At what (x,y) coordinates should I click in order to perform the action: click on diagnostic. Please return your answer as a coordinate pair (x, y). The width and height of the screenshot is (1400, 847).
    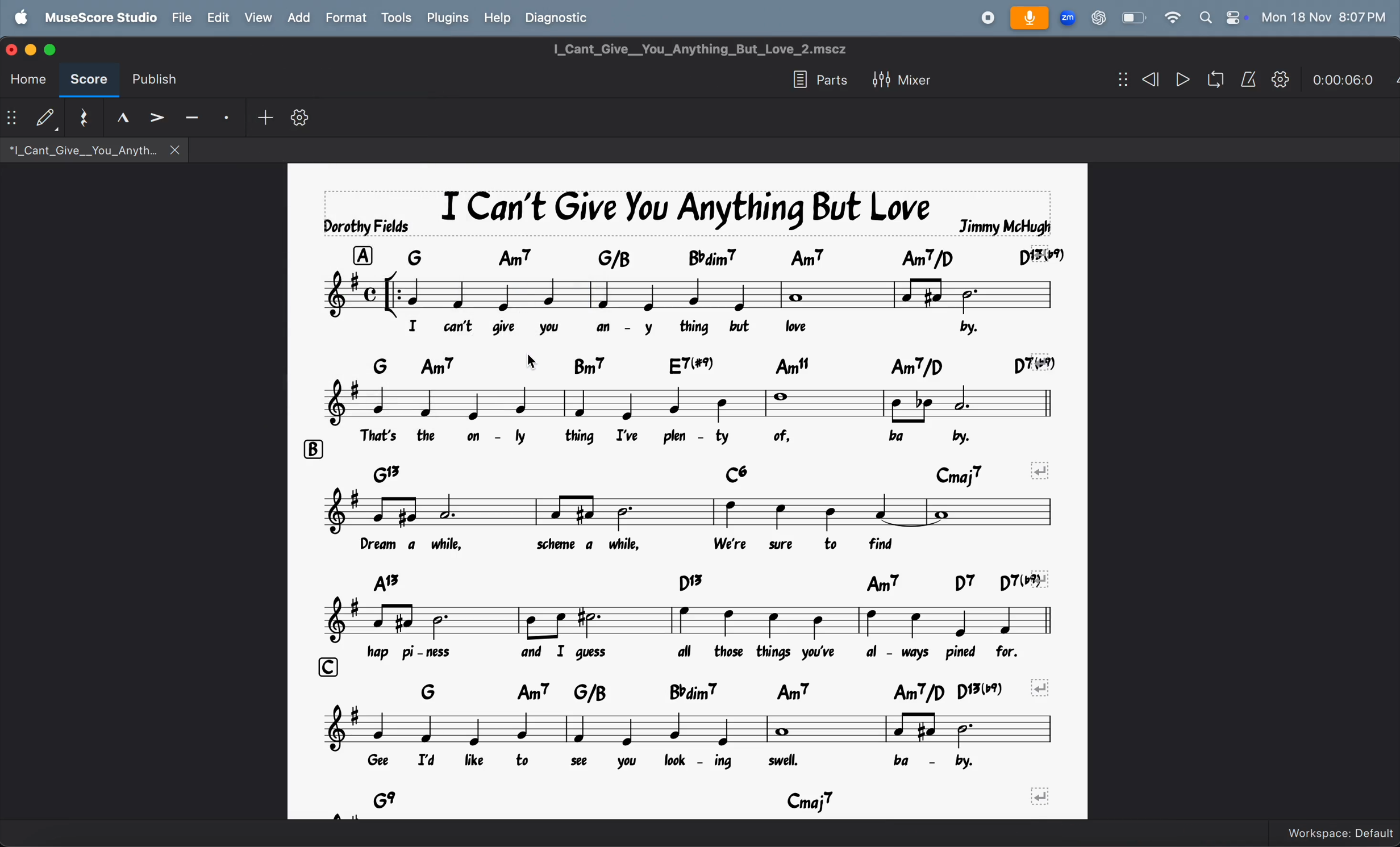
    Looking at the image, I should click on (561, 17).